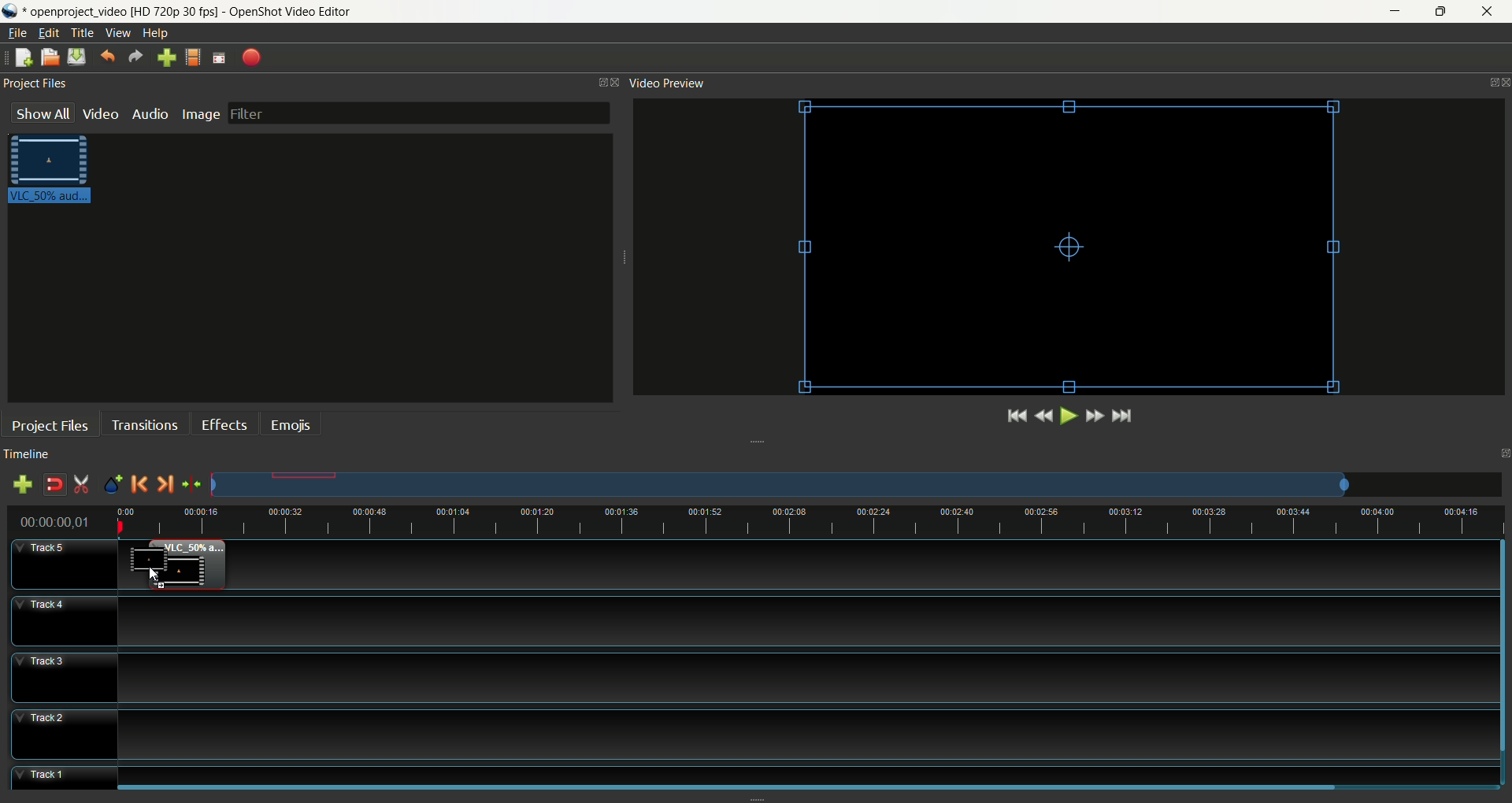 This screenshot has height=803, width=1512. What do you see at coordinates (118, 33) in the screenshot?
I see `view` at bounding box center [118, 33].